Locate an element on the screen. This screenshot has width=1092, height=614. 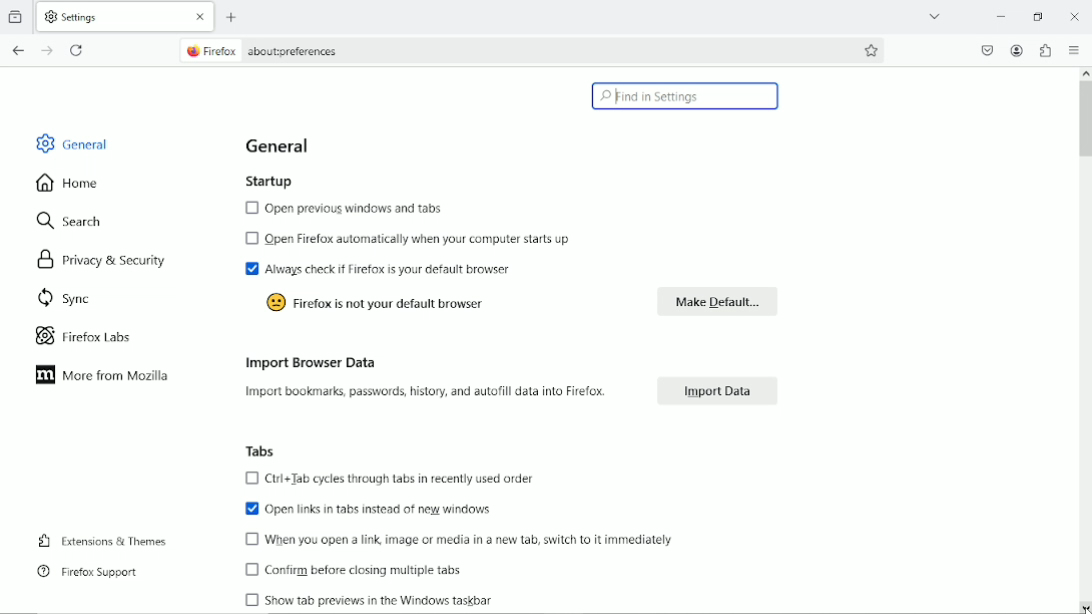
new tab is located at coordinates (232, 17).